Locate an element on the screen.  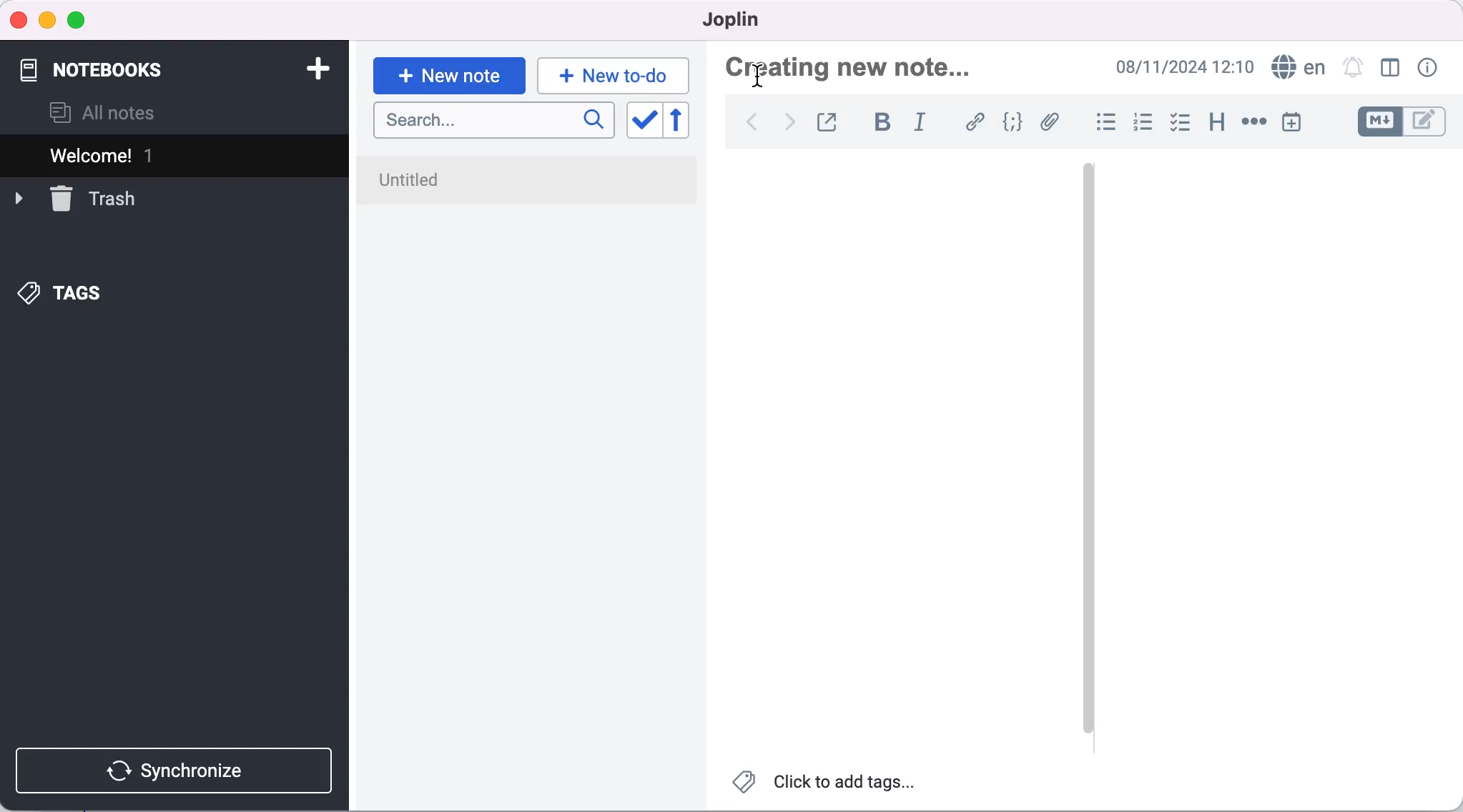
insert time is located at coordinates (1300, 122).